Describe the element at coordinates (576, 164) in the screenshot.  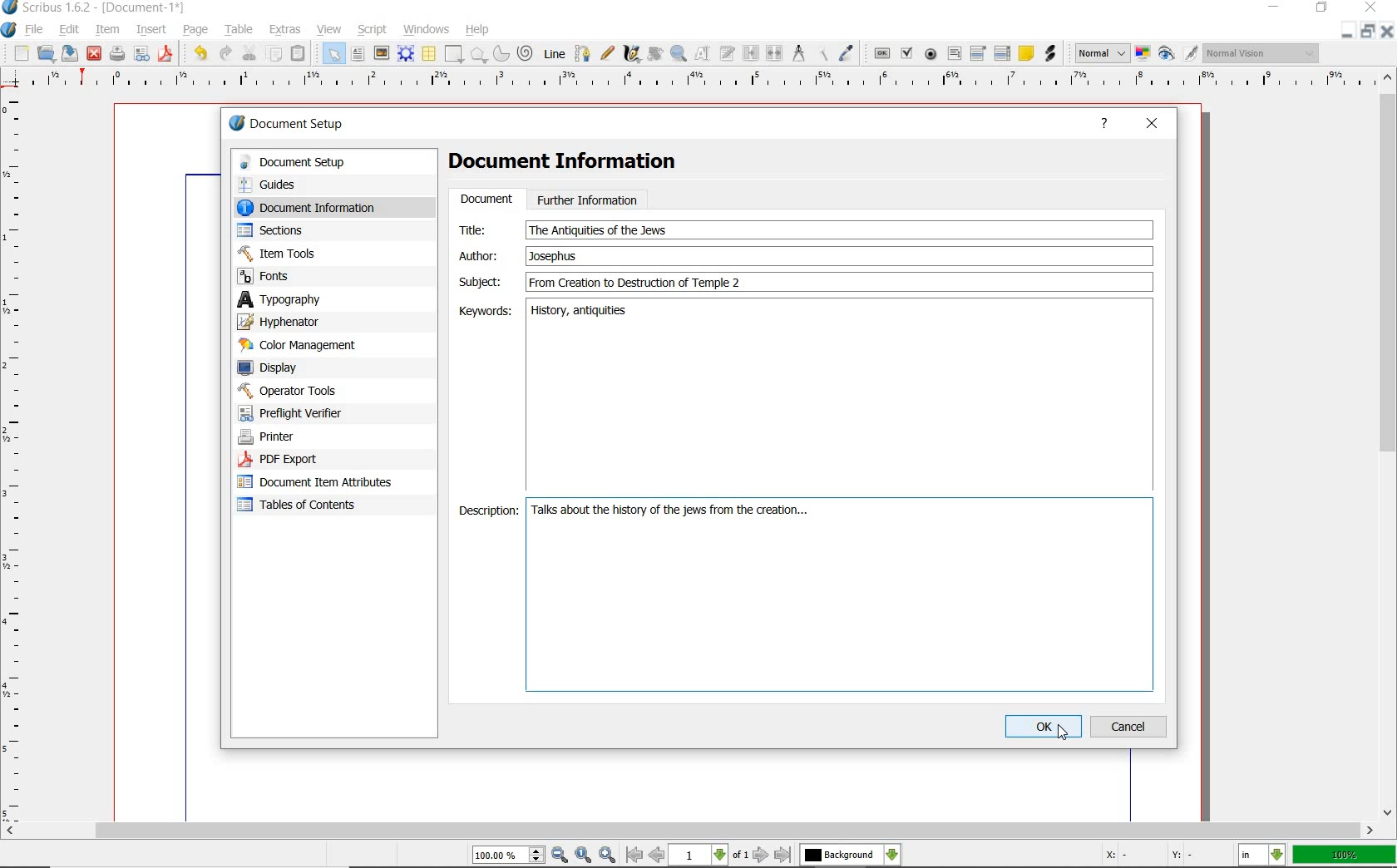
I see `Document Information` at that location.